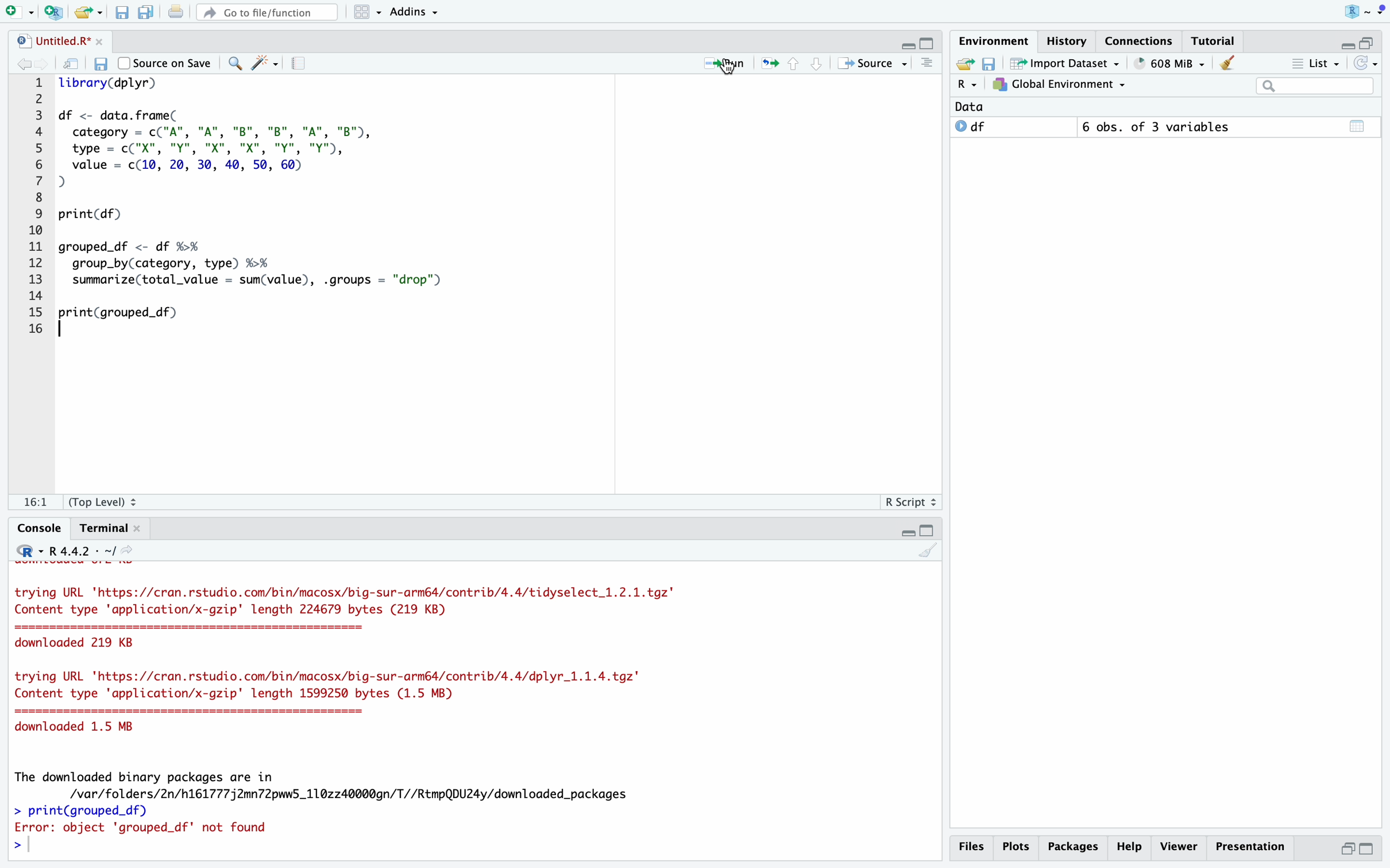 The width and height of the screenshot is (1390, 868). Describe the element at coordinates (872, 63) in the screenshot. I see `Source` at that location.